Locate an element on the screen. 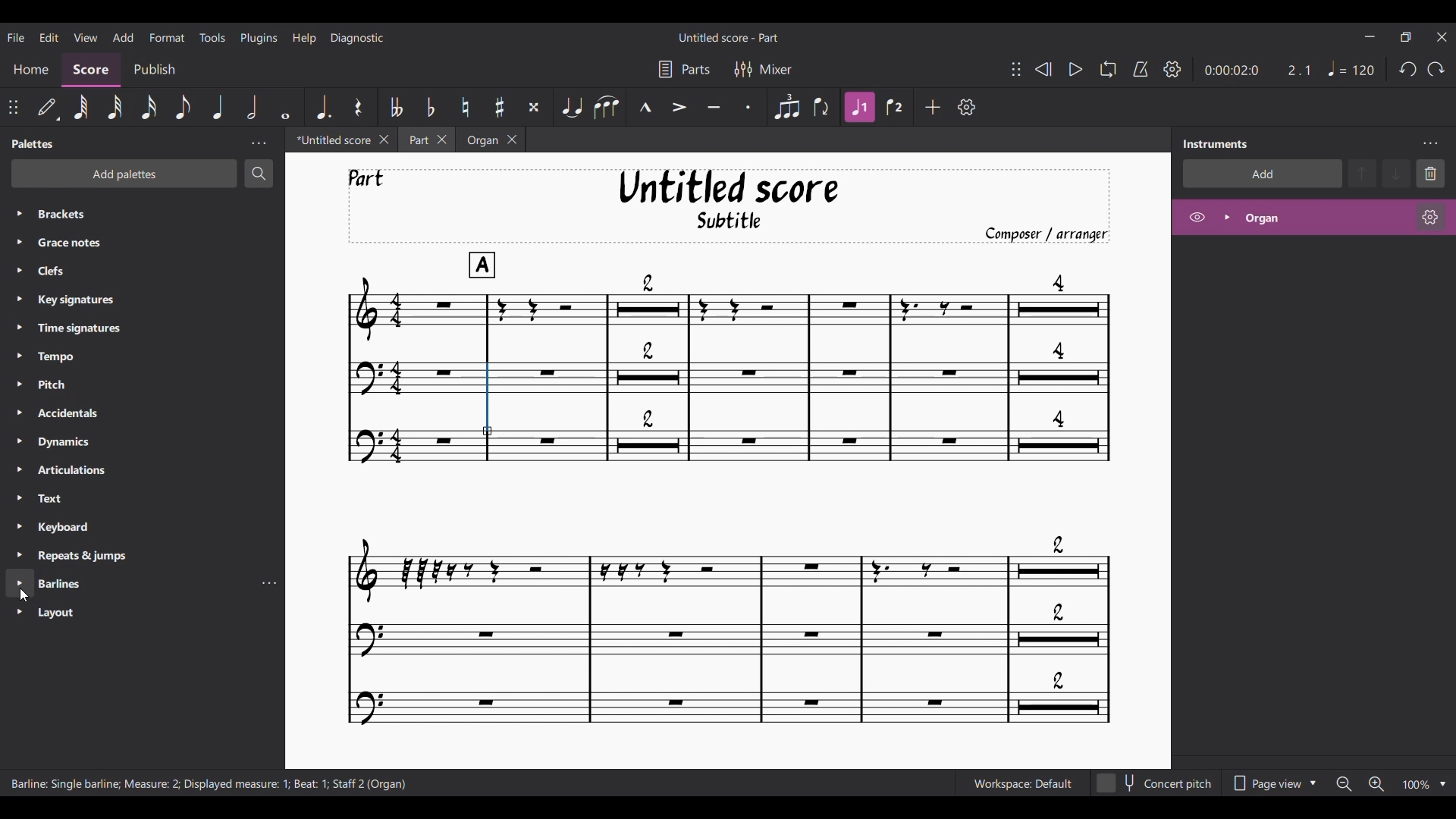  Zoom options is located at coordinates (1442, 783).